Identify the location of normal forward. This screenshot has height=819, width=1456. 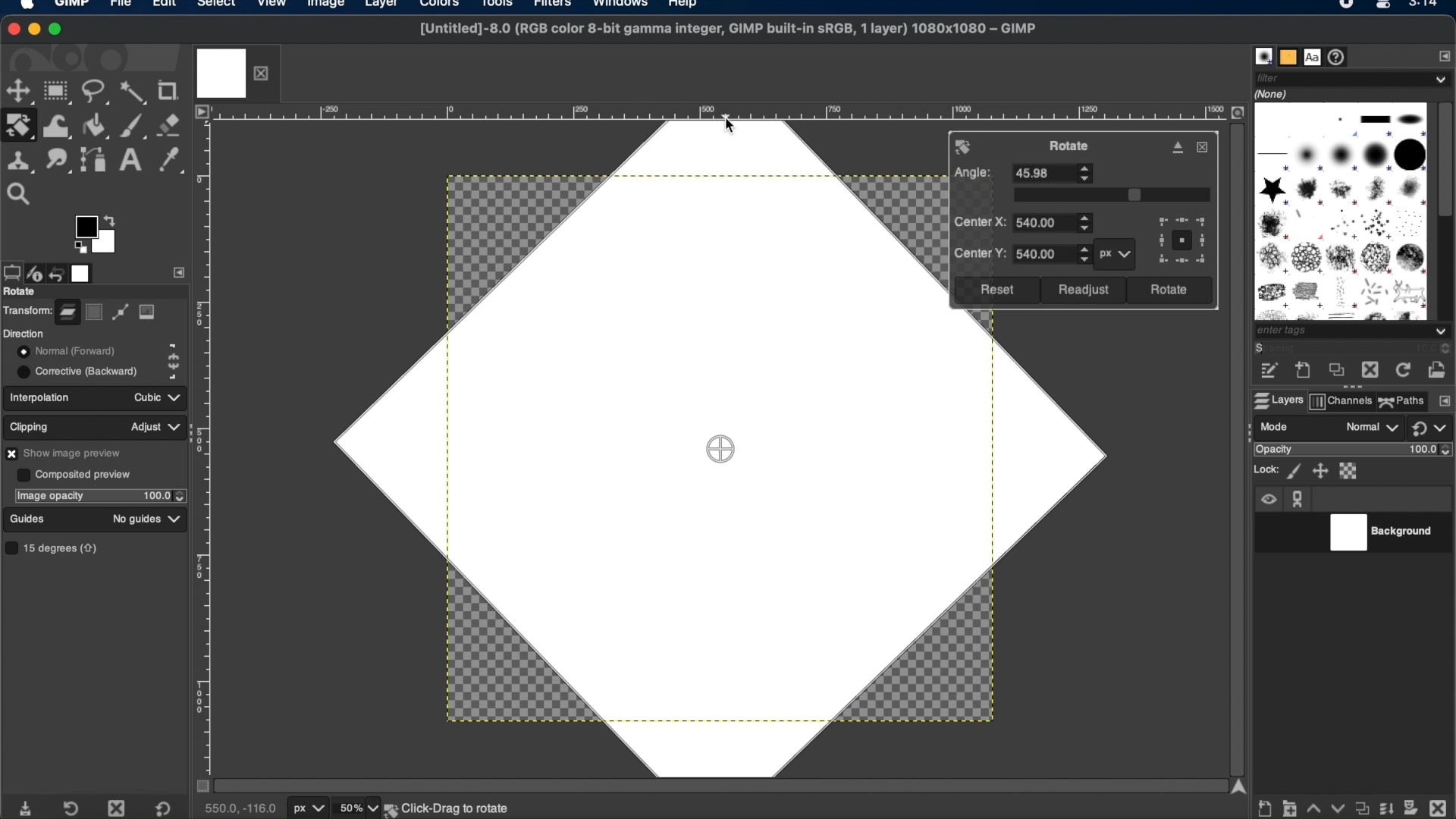
(174, 349).